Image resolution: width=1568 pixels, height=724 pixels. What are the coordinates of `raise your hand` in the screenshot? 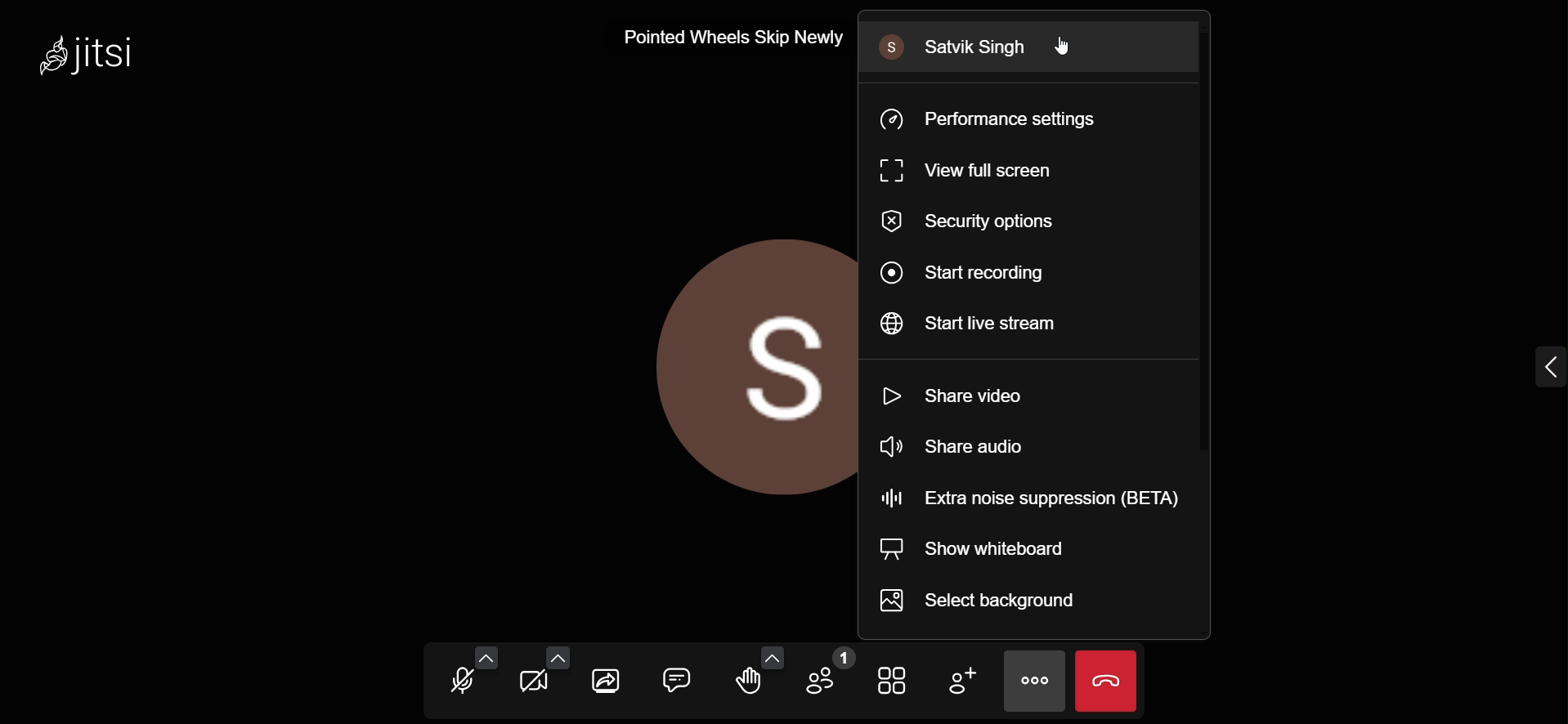 It's located at (747, 686).